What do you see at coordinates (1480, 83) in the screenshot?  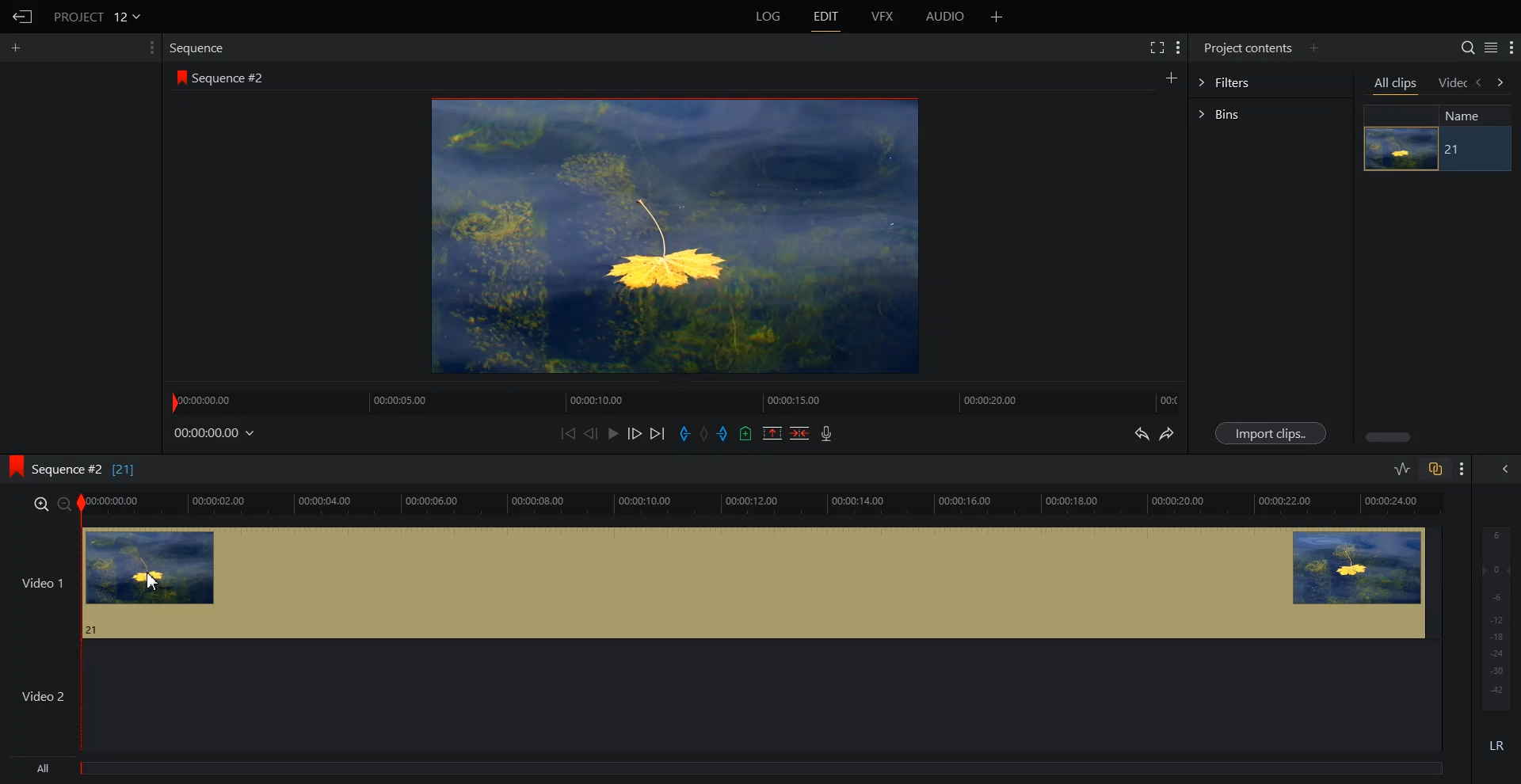 I see `move backwards` at bounding box center [1480, 83].